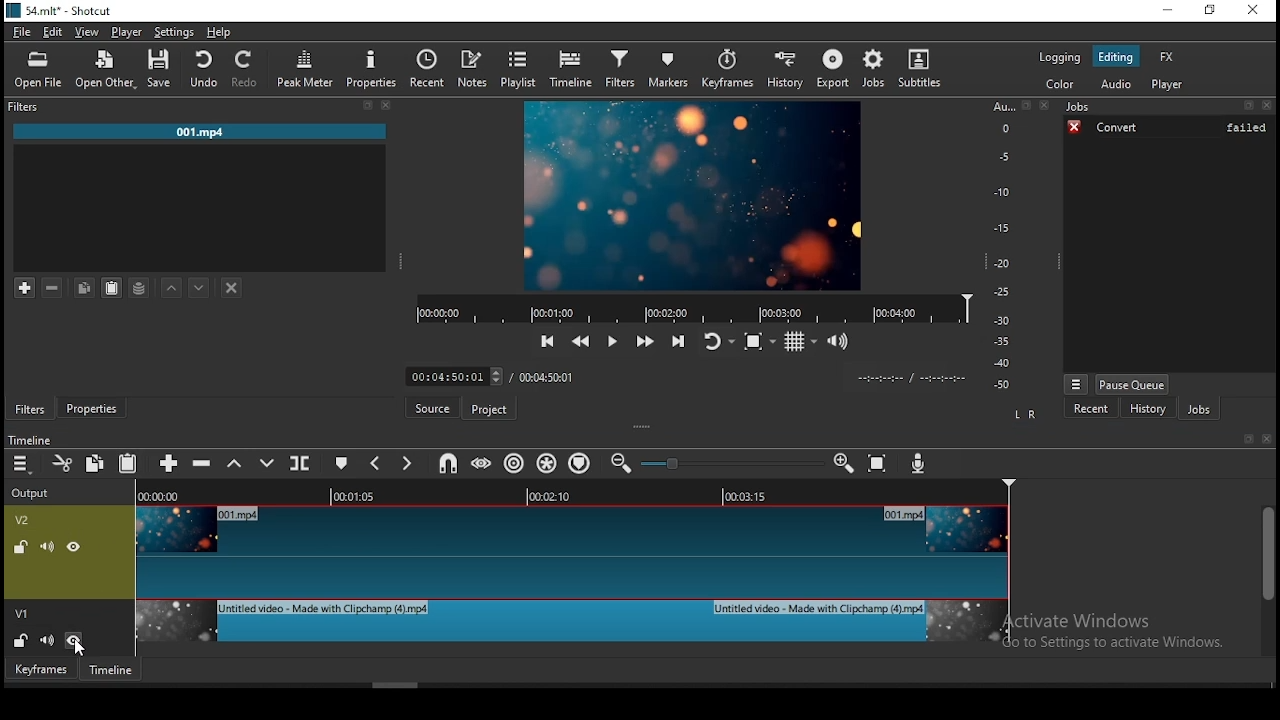 The width and height of the screenshot is (1280, 720). I want to click on jobs menu, so click(1078, 384).